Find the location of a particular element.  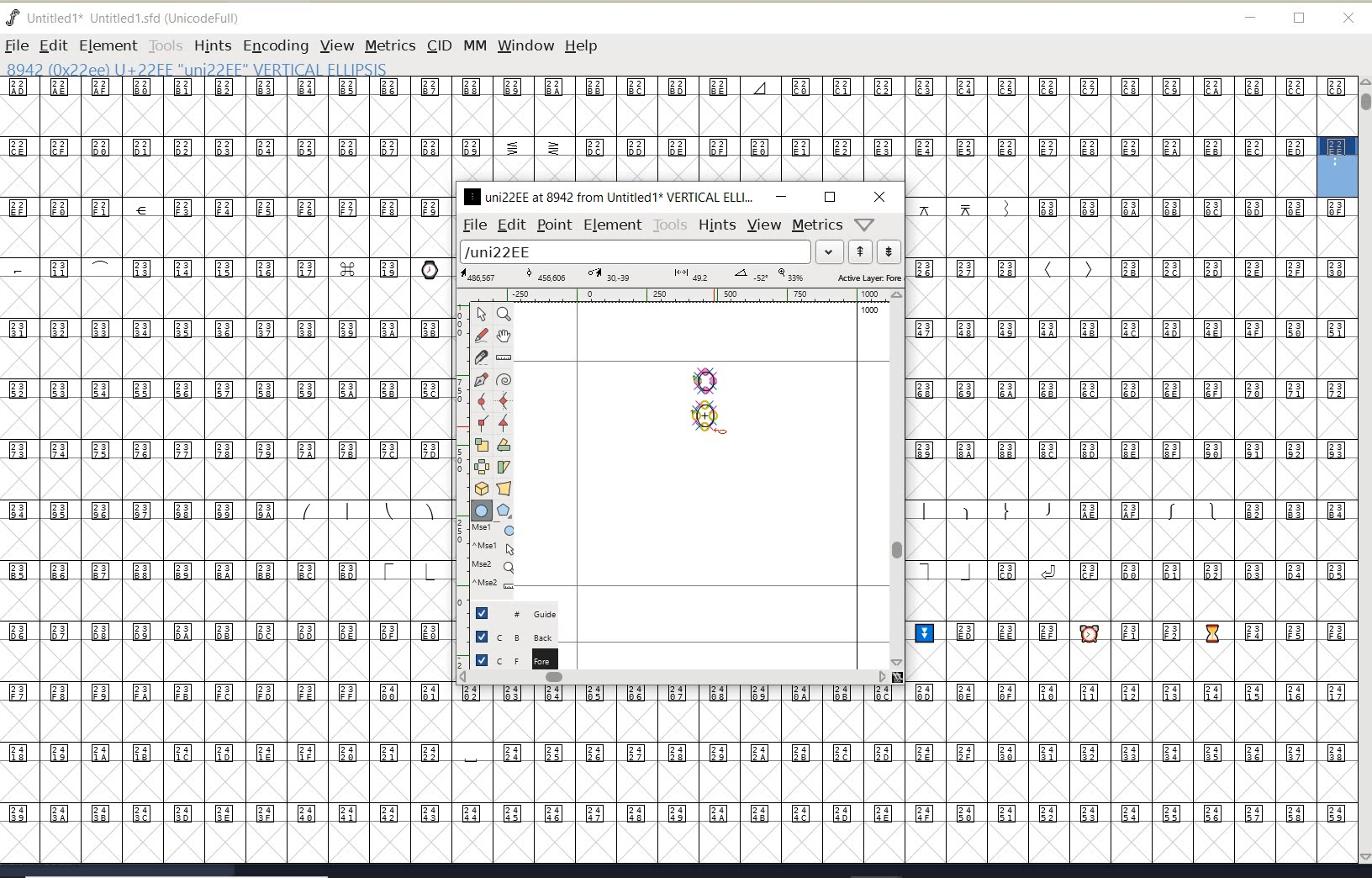

restore is located at coordinates (830, 197).